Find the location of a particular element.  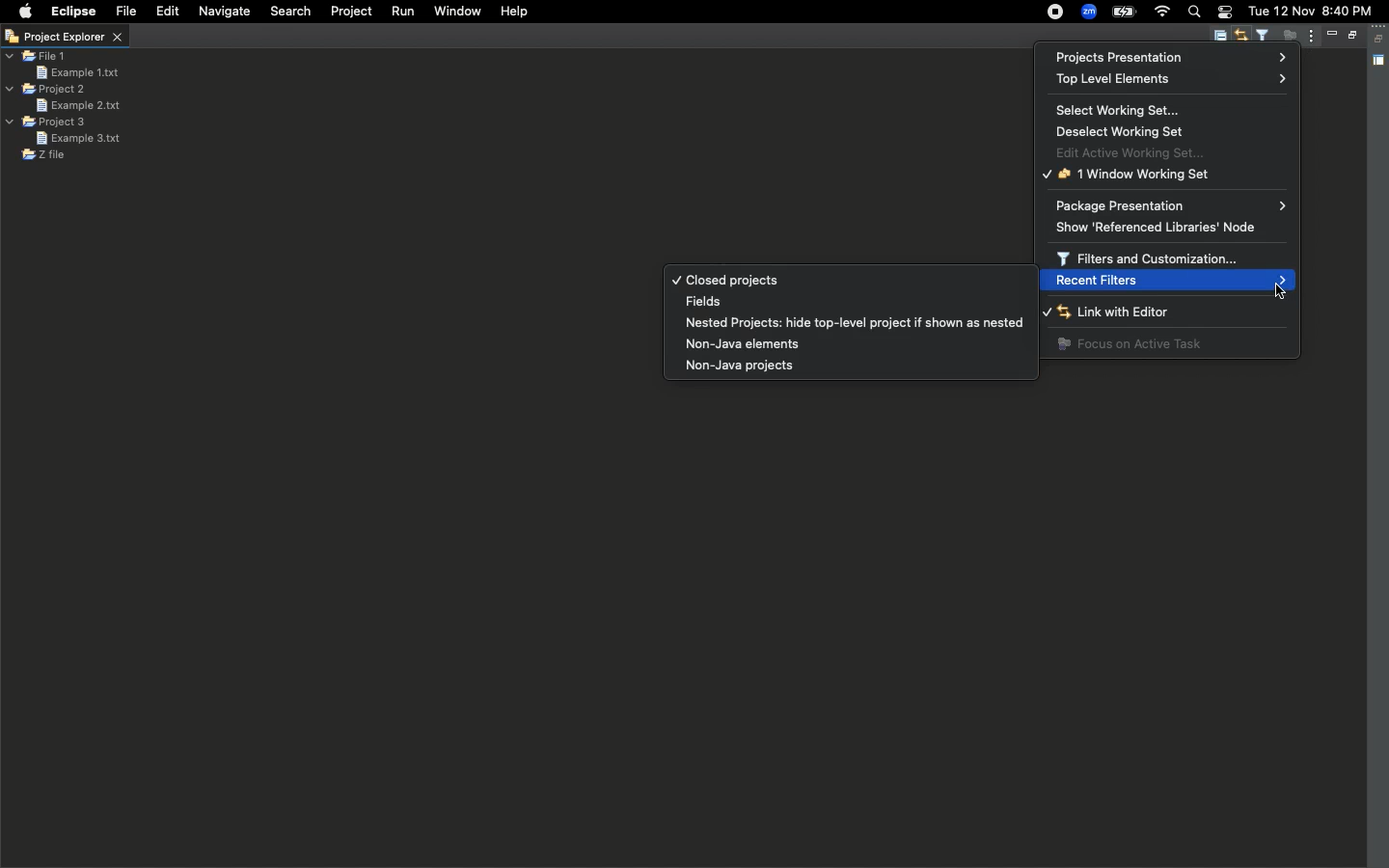

File 1 is located at coordinates (38, 57).